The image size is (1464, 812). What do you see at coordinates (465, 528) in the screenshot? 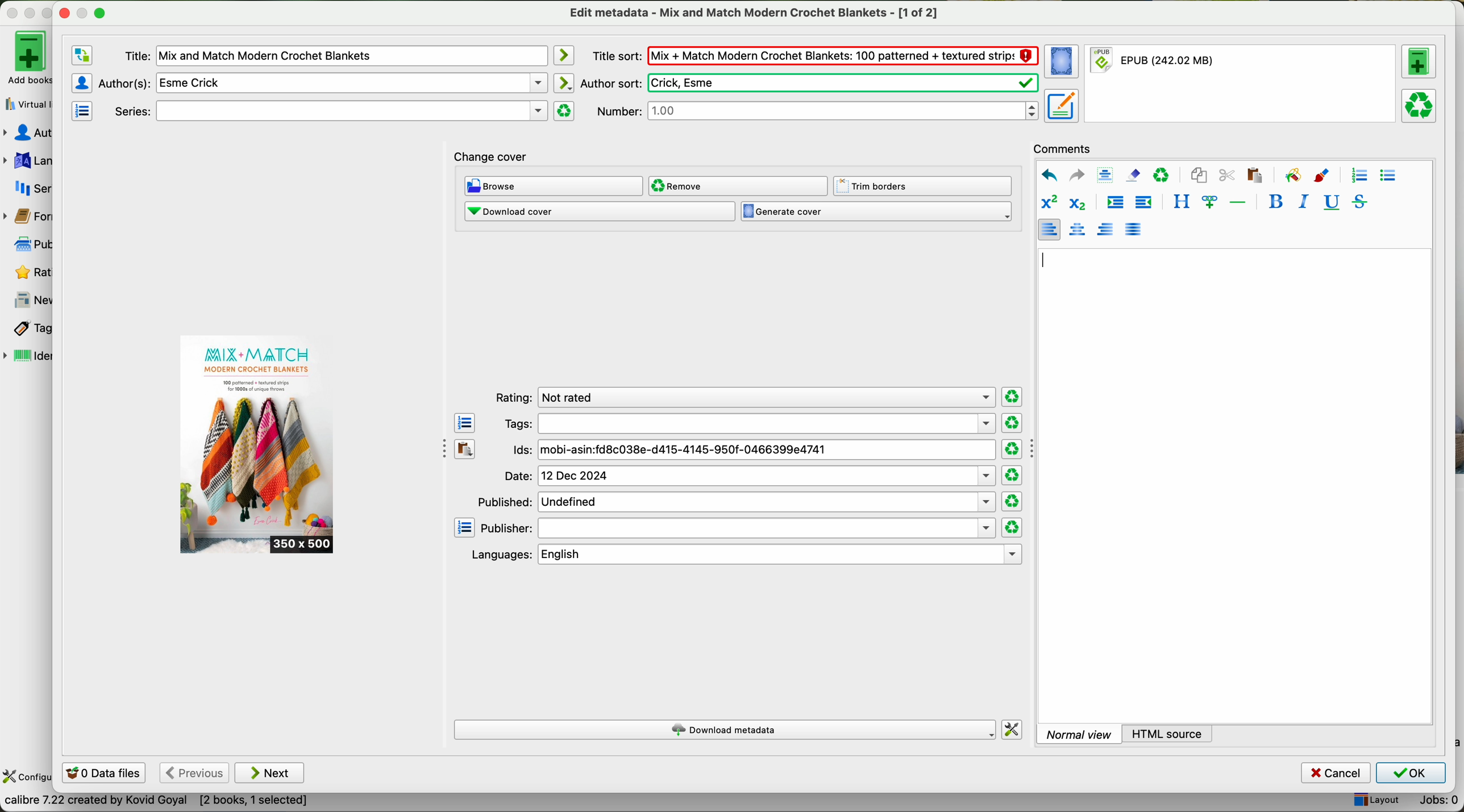
I see `open the manage publishers editor` at bounding box center [465, 528].